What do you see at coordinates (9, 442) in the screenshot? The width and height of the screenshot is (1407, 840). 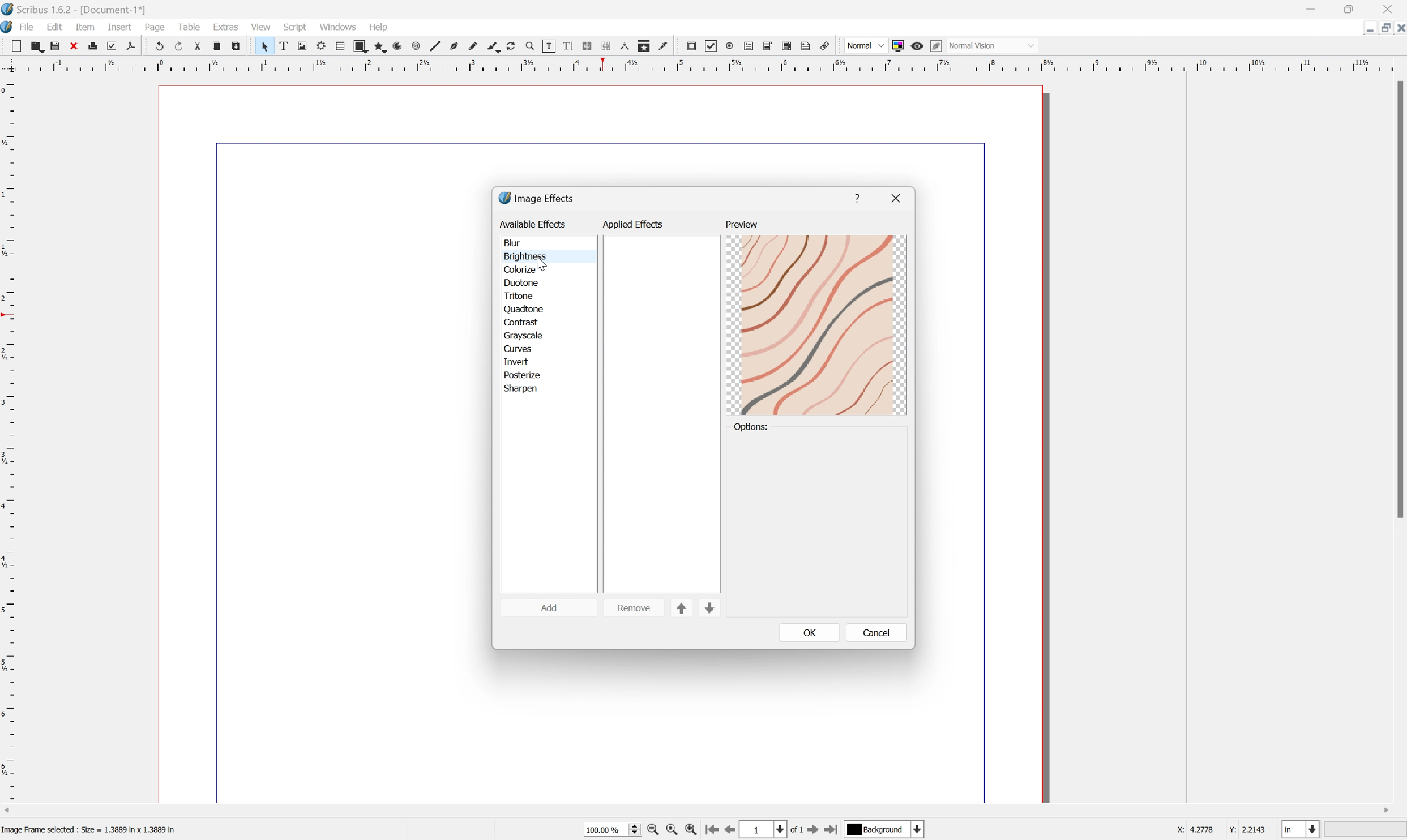 I see `Vertical Margin` at bounding box center [9, 442].